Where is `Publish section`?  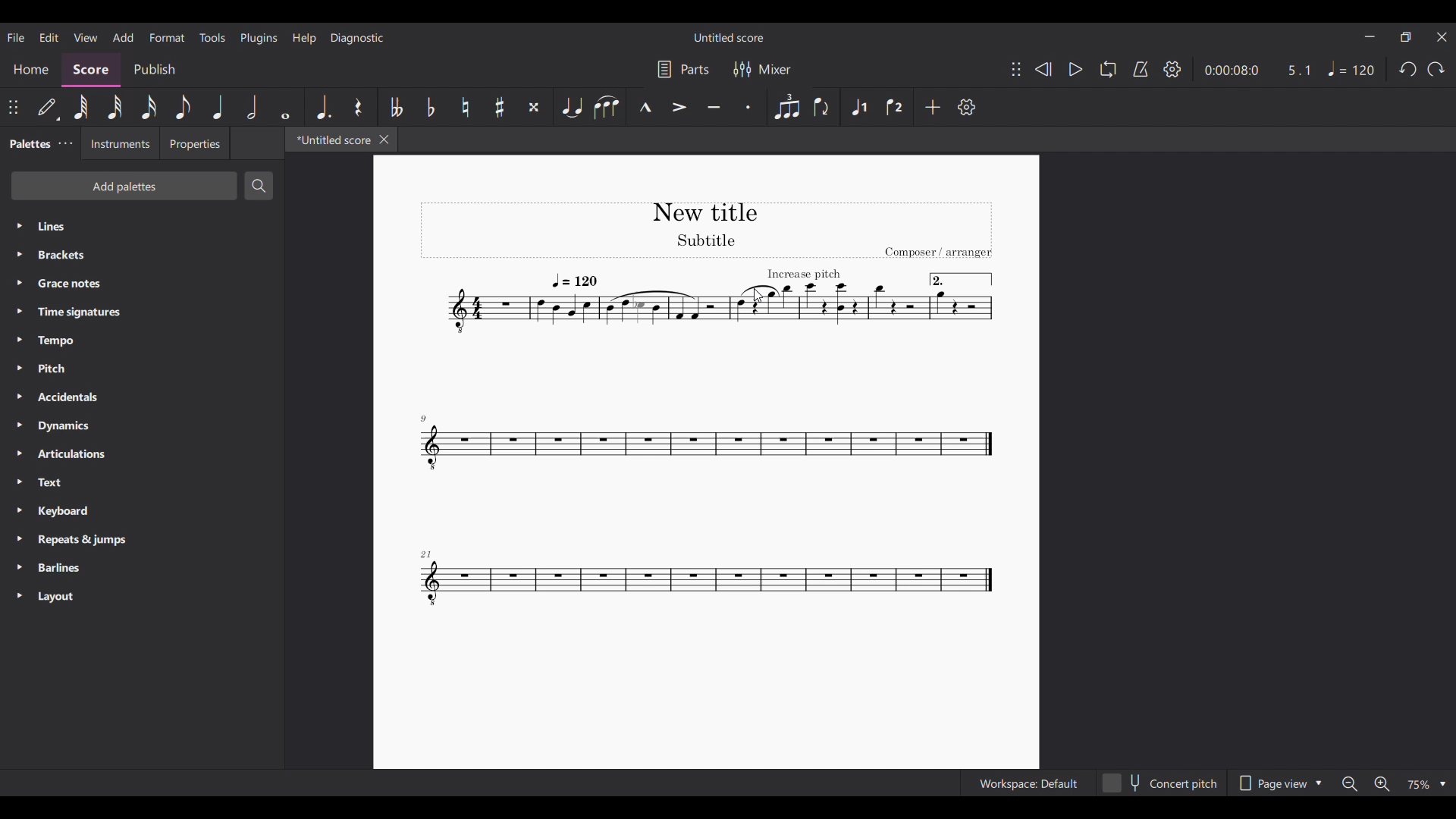
Publish section is located at coordinates (154, 71).